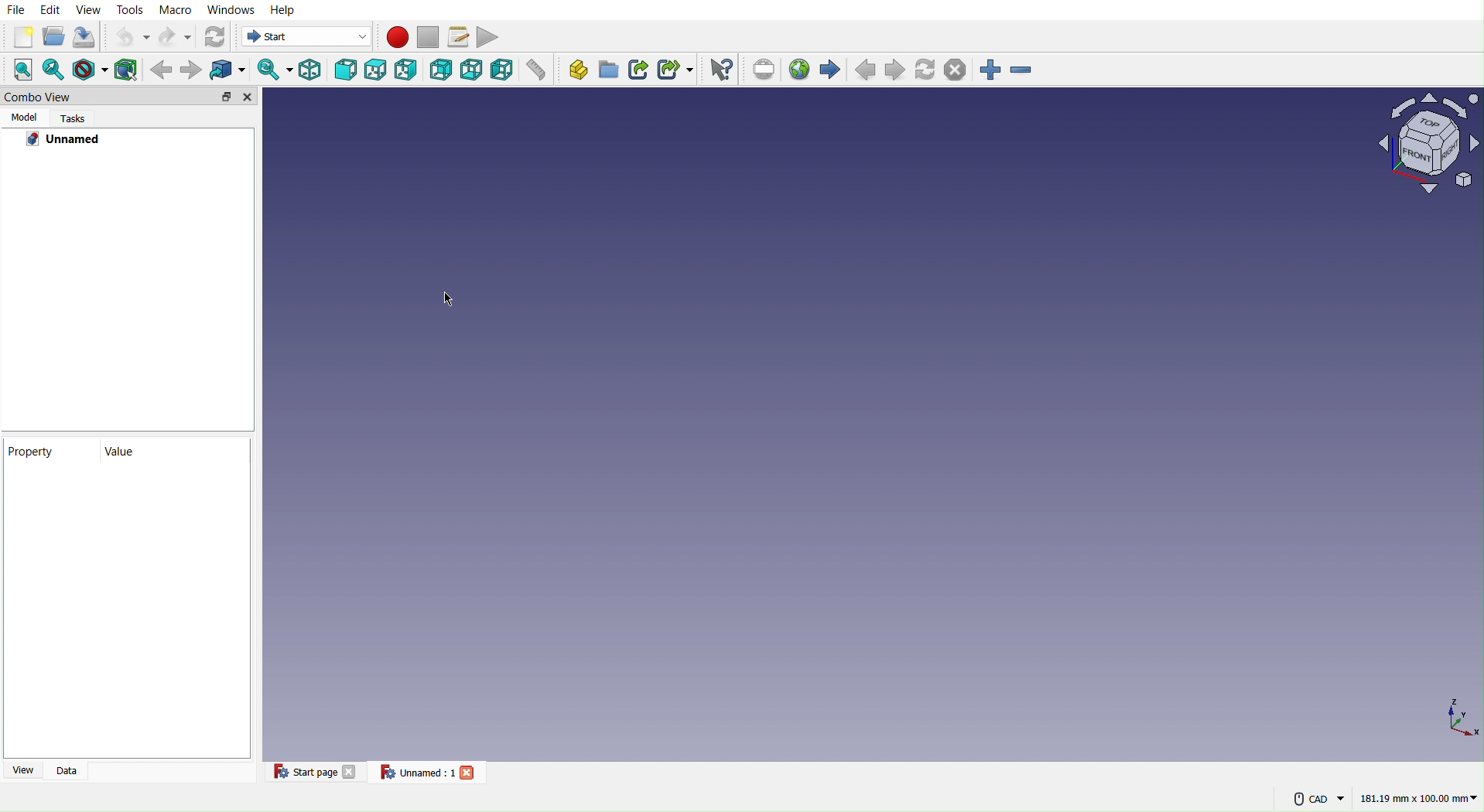  Describe the element at coordinates (226, 69) in the screenshot. I see `Select the linked object and switch to its owner document` at that location.